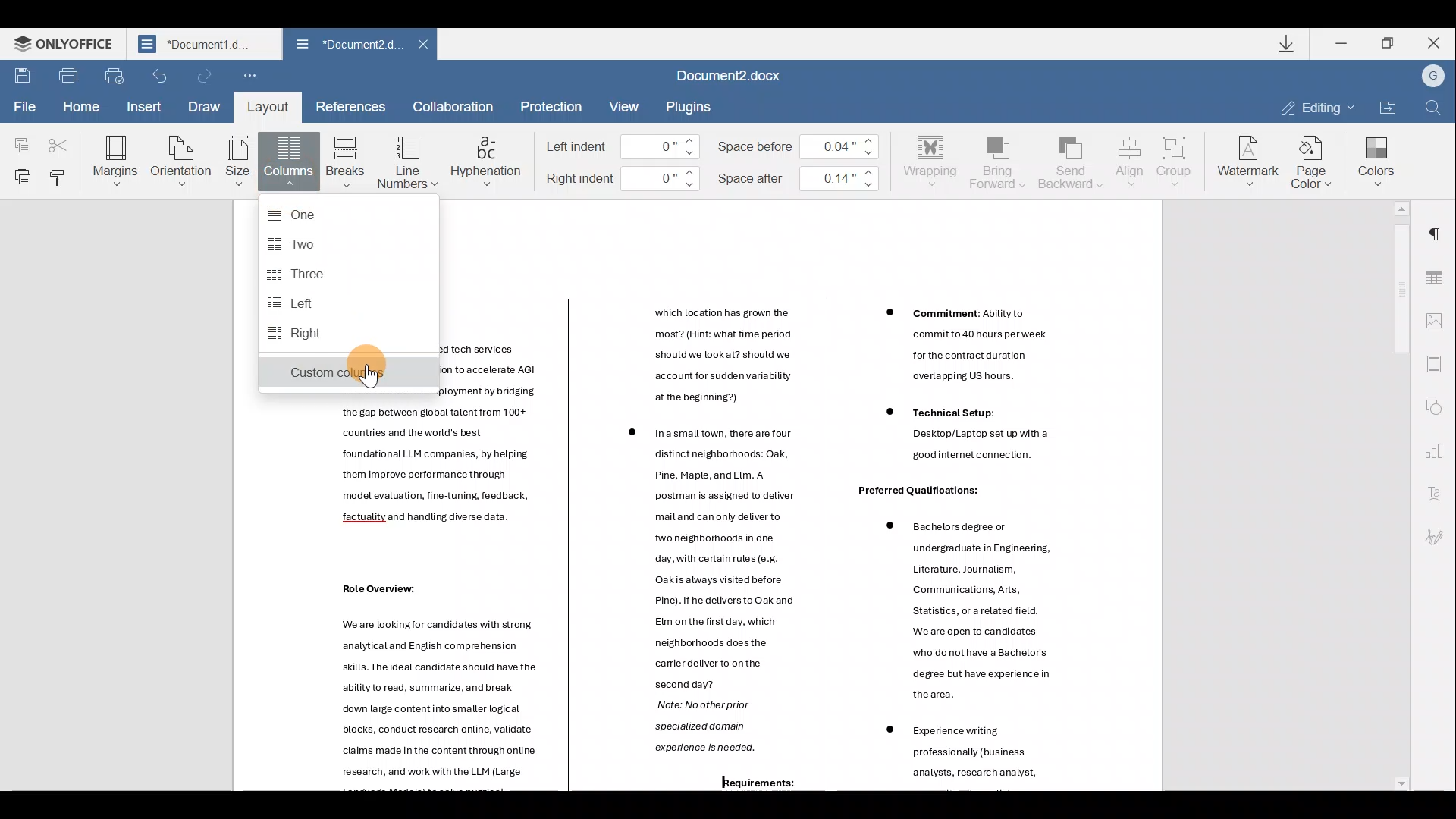 This screenshot has height=819, width=1456. I want to click on , so click(426, 702).